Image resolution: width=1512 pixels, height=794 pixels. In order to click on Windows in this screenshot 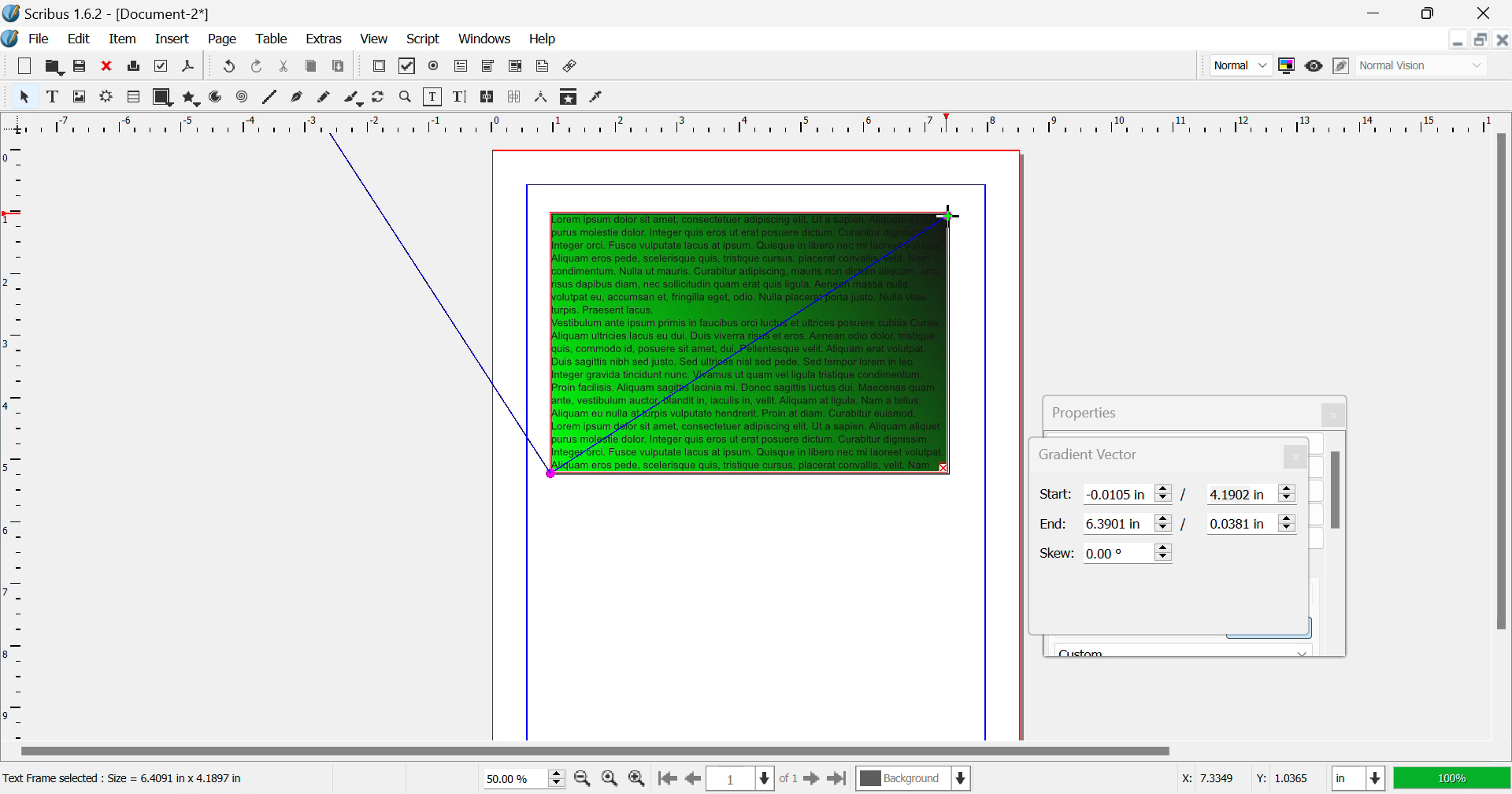, I will do `click(485, 39)`.